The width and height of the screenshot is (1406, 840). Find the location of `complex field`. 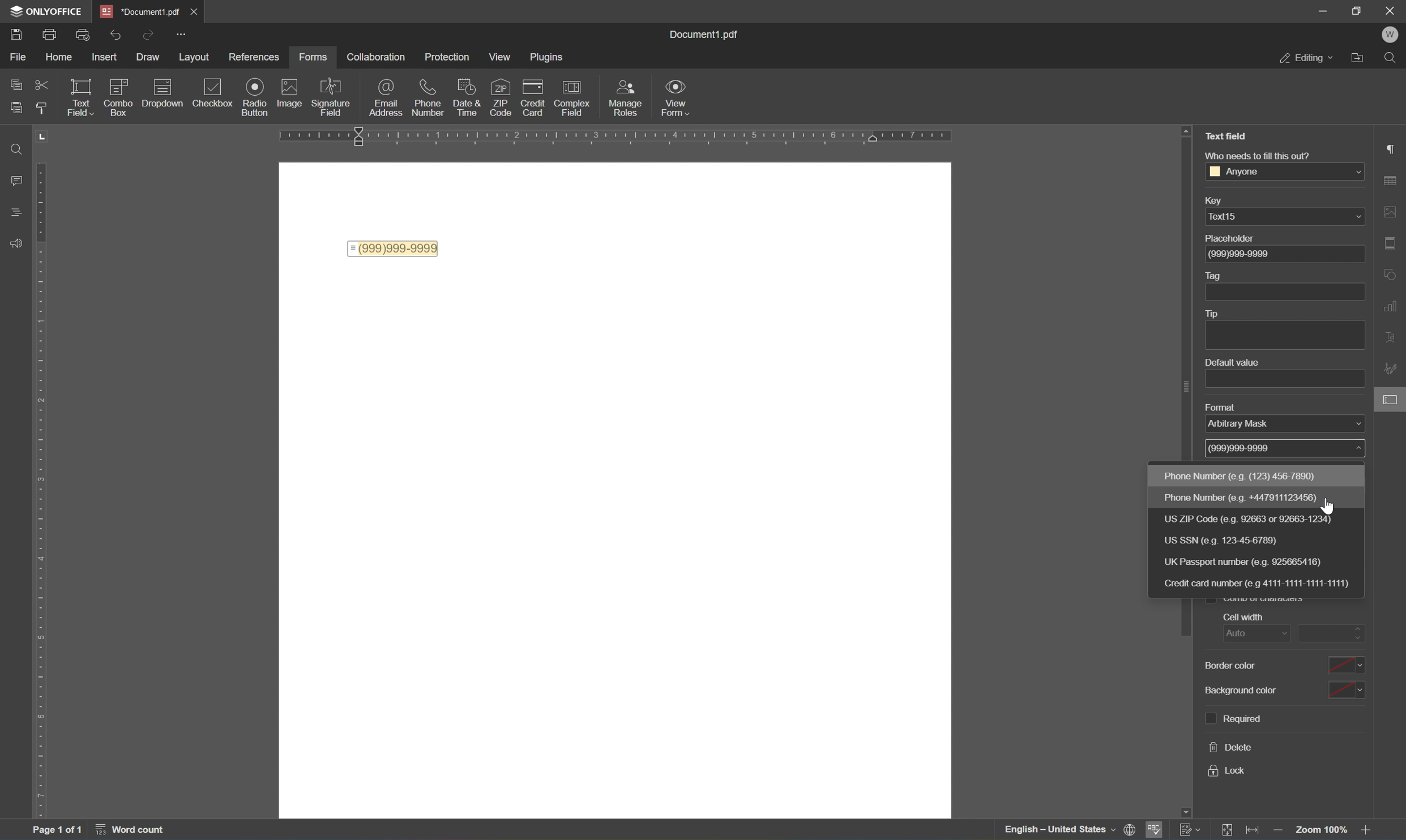

complex field is located at coordinates (576, 97).